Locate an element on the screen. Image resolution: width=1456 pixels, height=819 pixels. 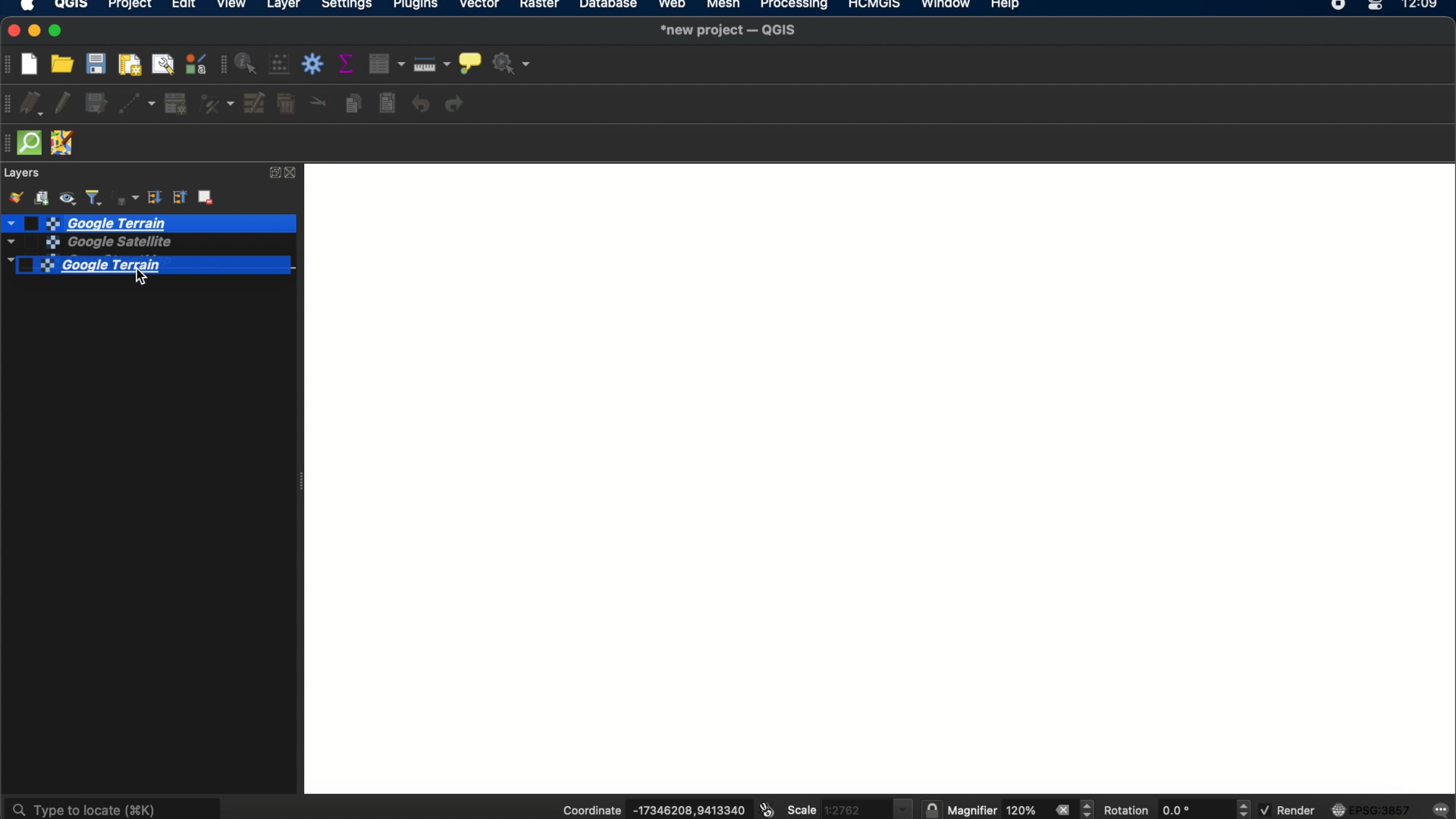
toolbox is located at coordinates (315, 64).